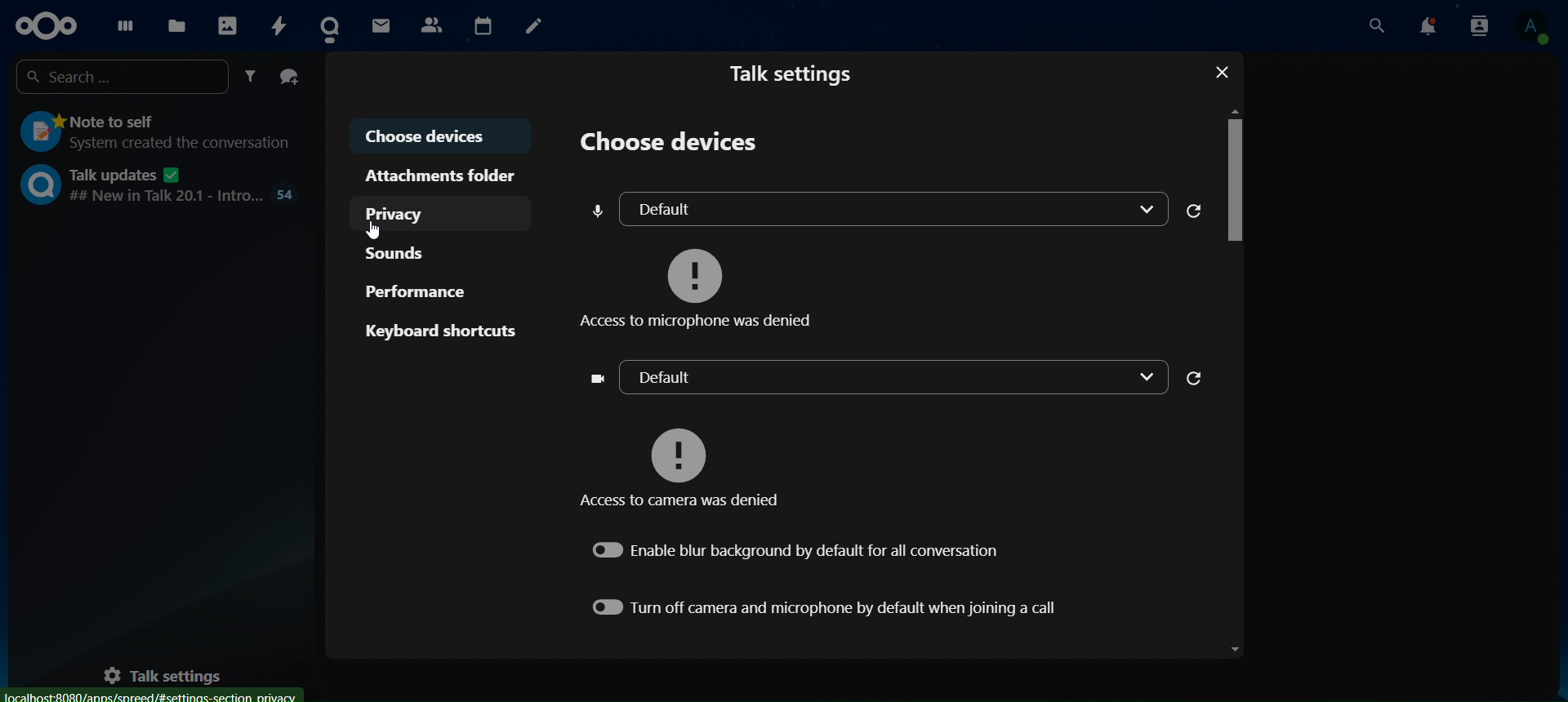 The height and width of the screenshot is (702, 1568). I want to click on Scroll Bar, so click(1232, 380).